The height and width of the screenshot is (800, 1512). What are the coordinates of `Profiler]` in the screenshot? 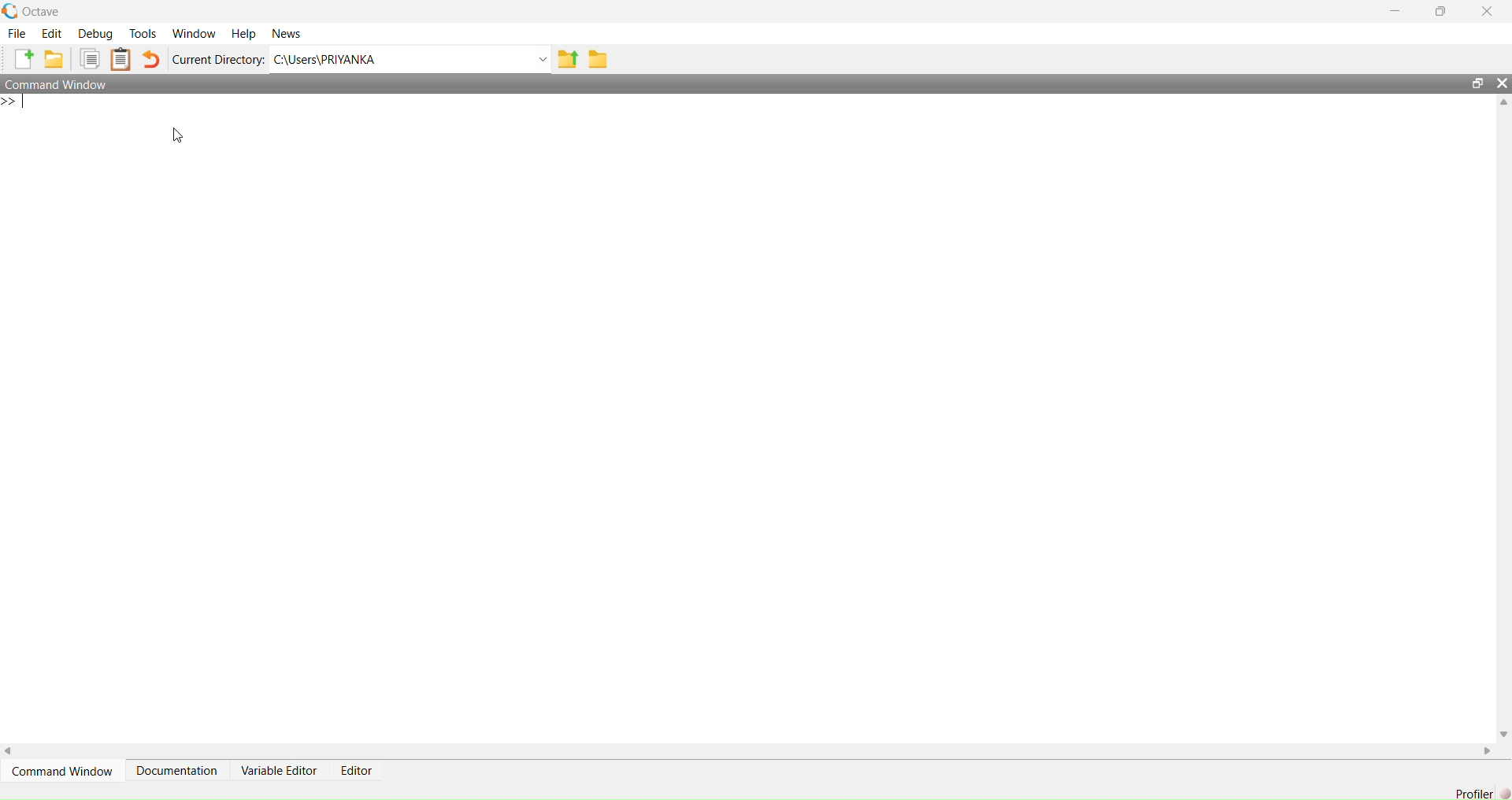 It's located at (1472, 791).